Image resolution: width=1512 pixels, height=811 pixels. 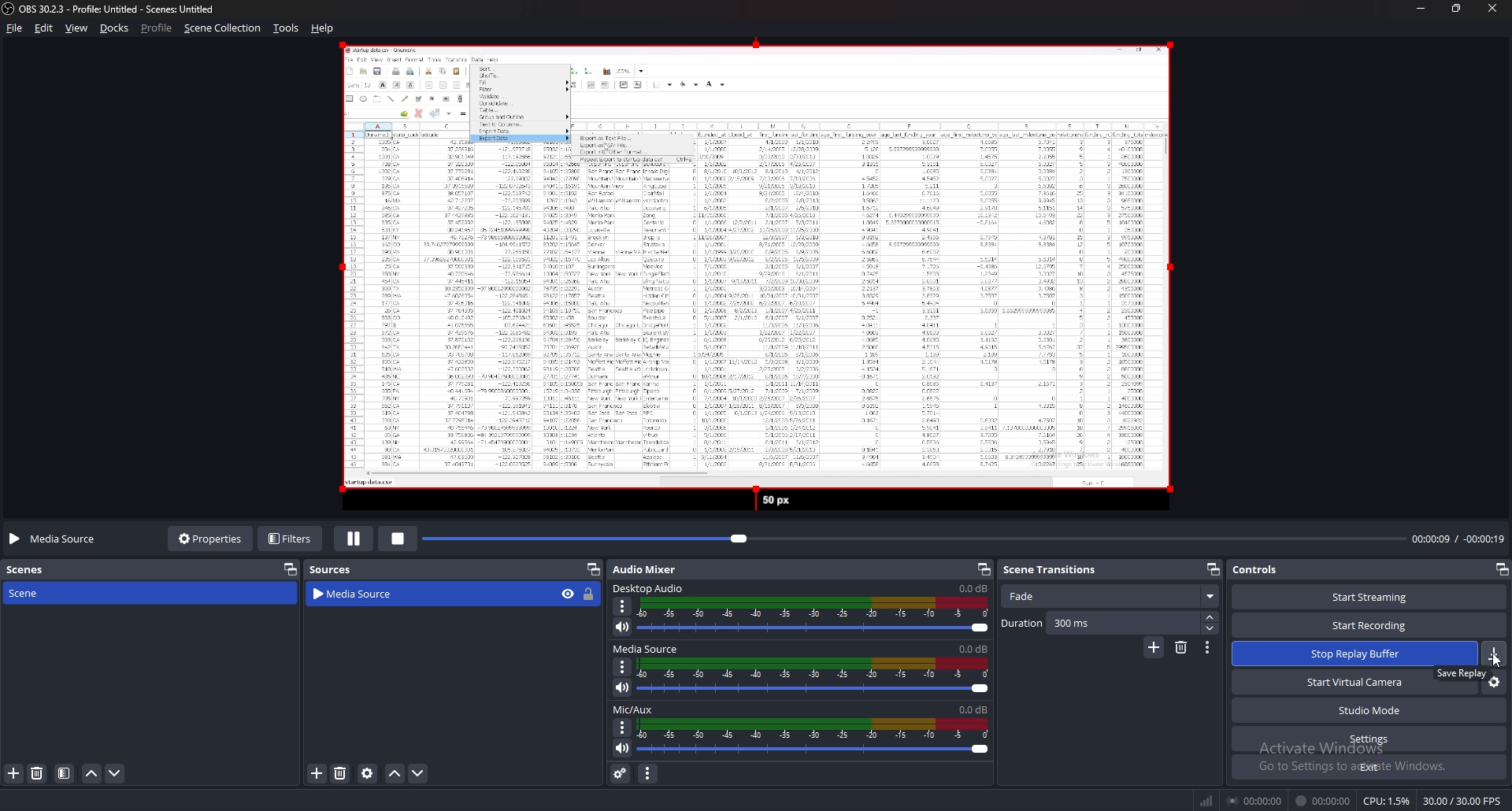 I want to click on file, so click(x=15, y=28).